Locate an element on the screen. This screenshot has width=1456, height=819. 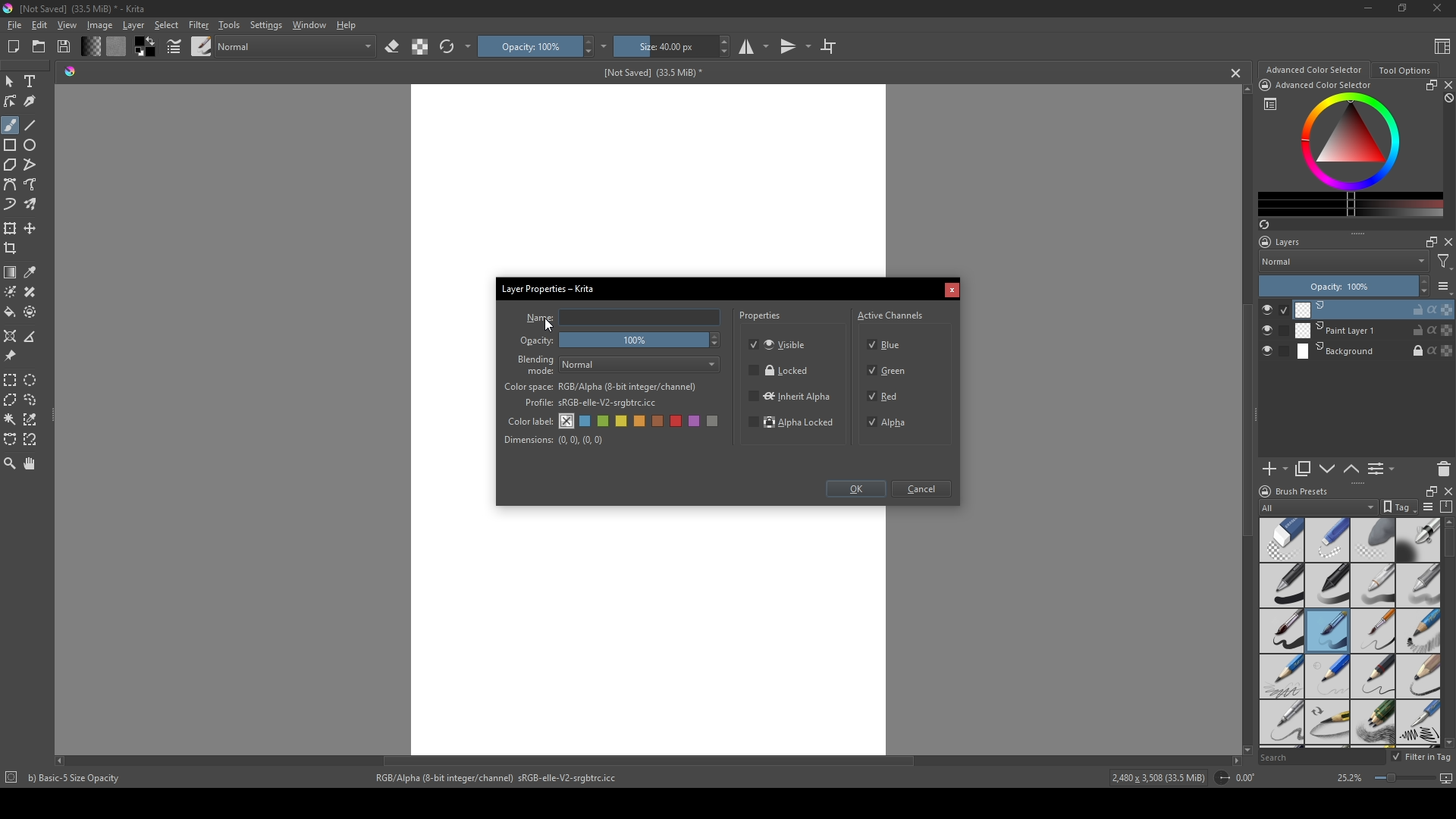
Close is located at coordinates (1434, 9).